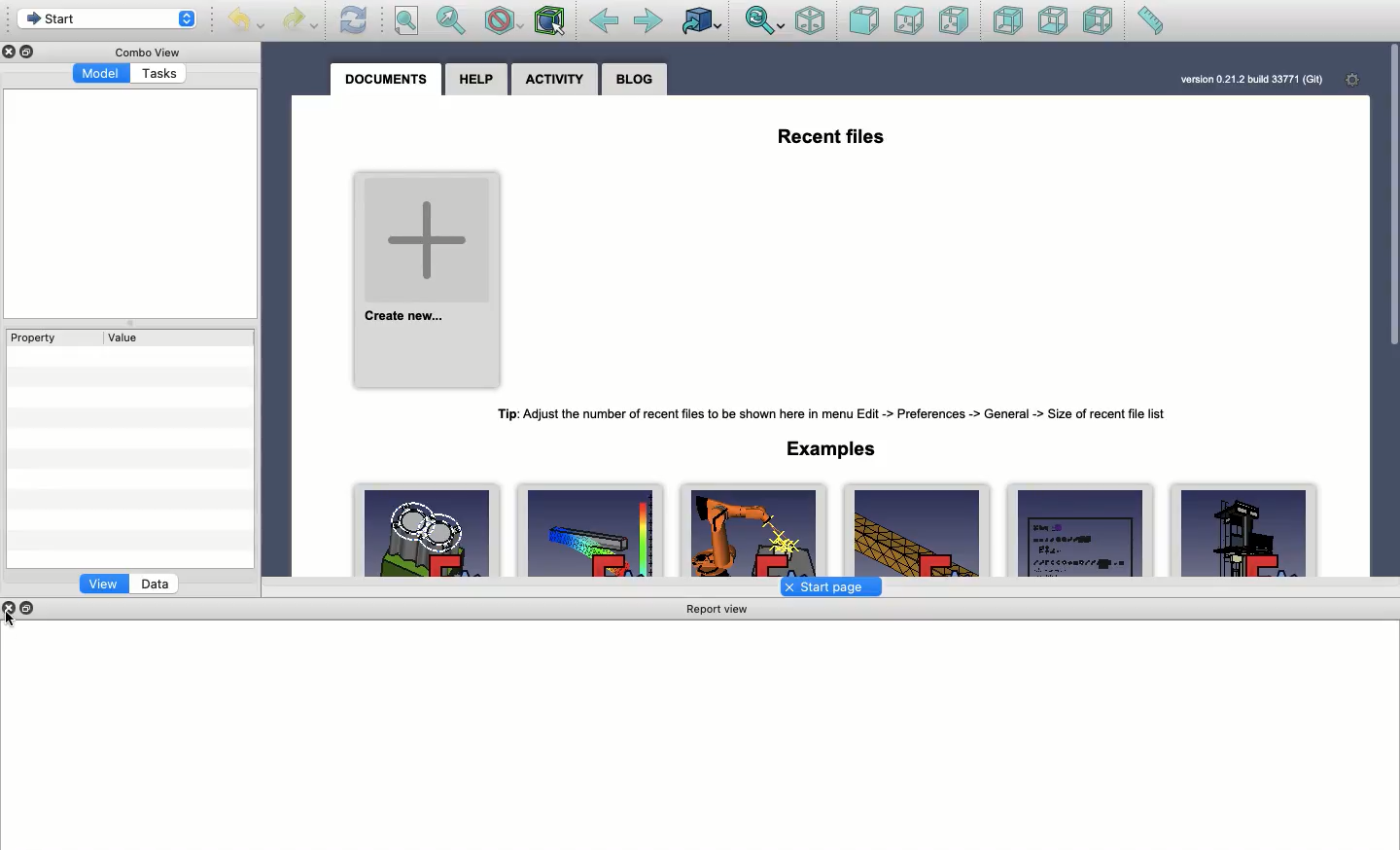 This screenshot has height=850, width=1400. Describe the element at coordinates (602, 24) in the screenshot. I see `Back` at that location.